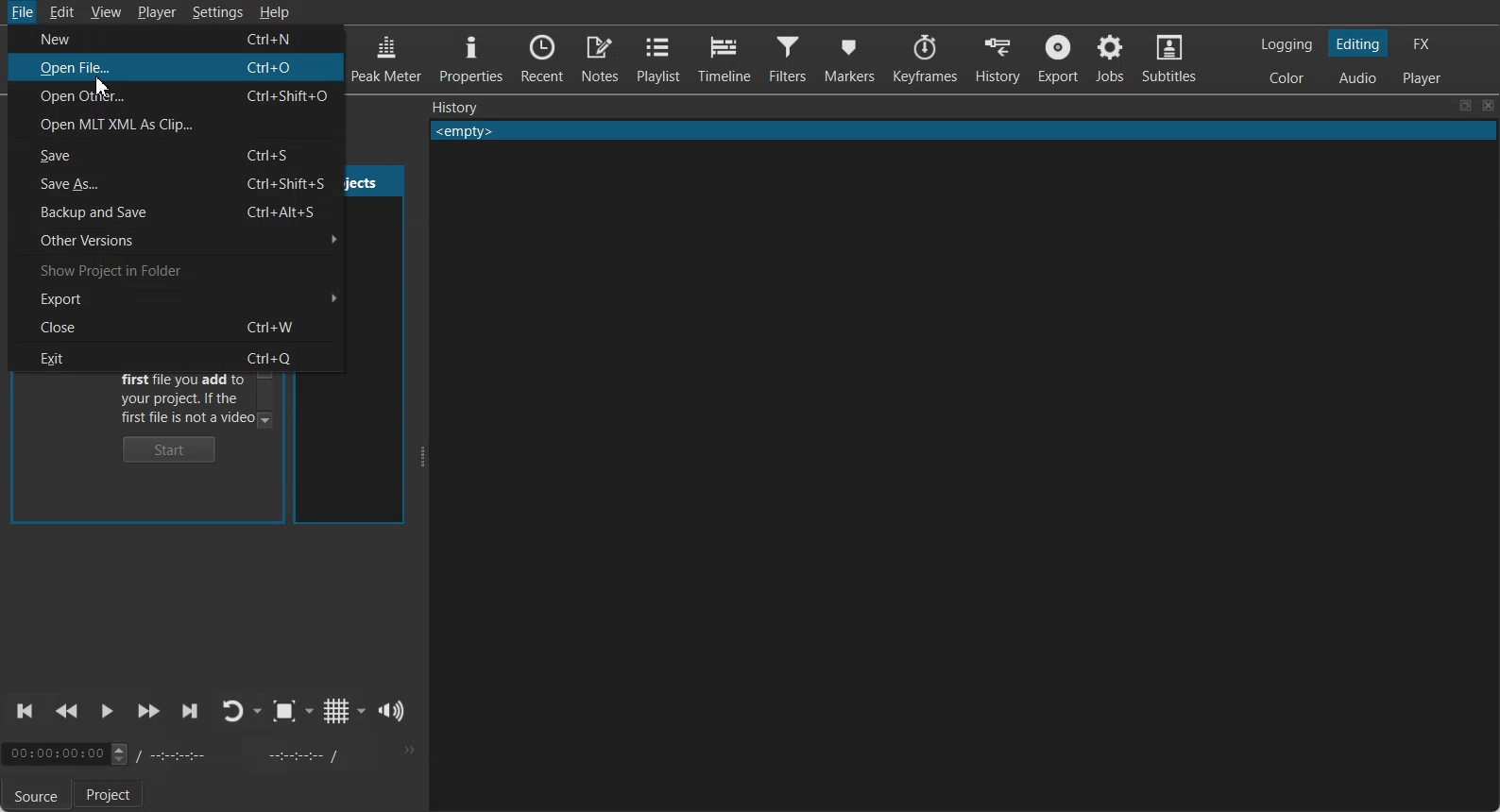  I want to click on Text, so click(455, 107).